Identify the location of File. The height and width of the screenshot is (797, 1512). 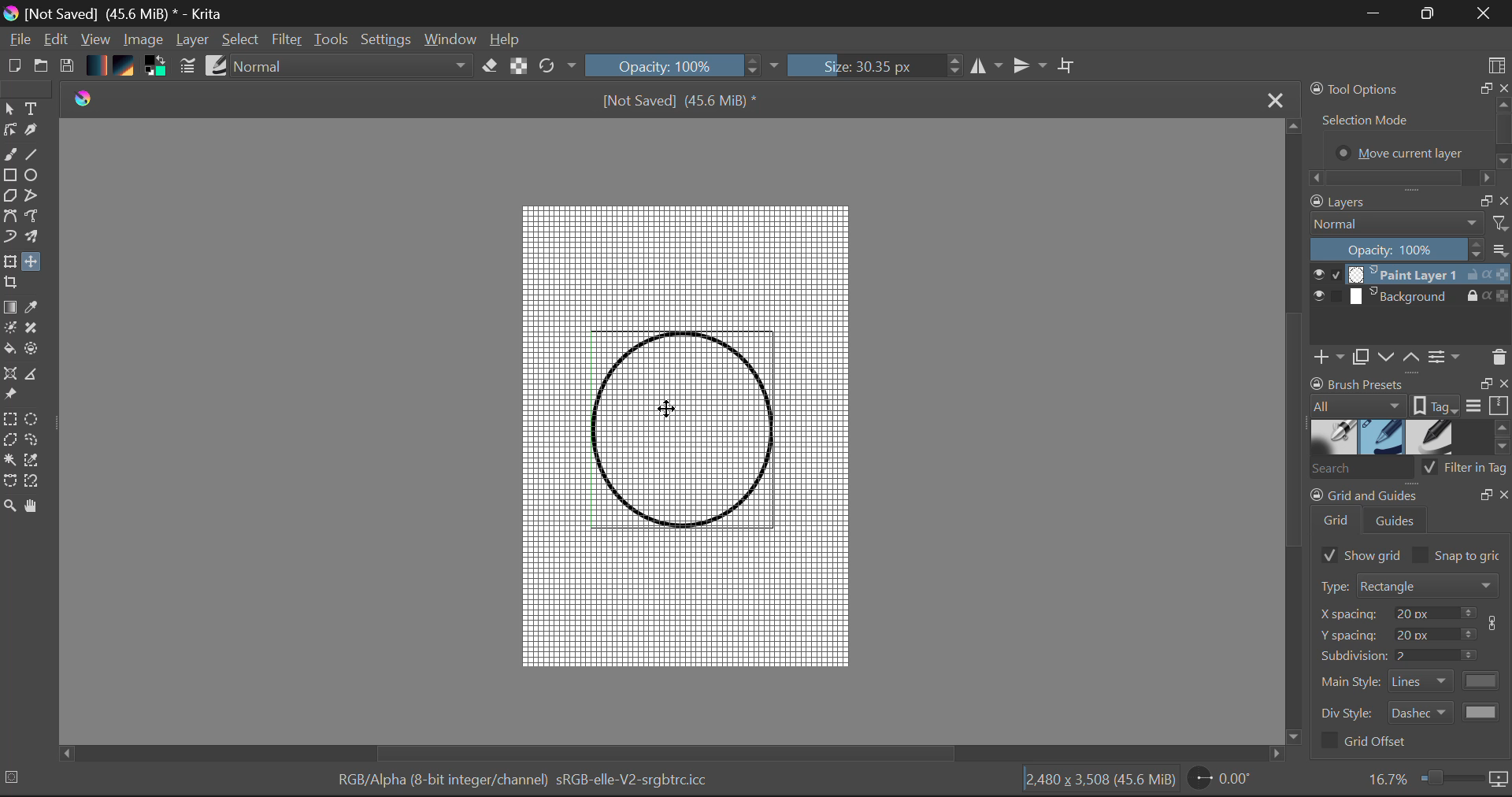
(18, 39).